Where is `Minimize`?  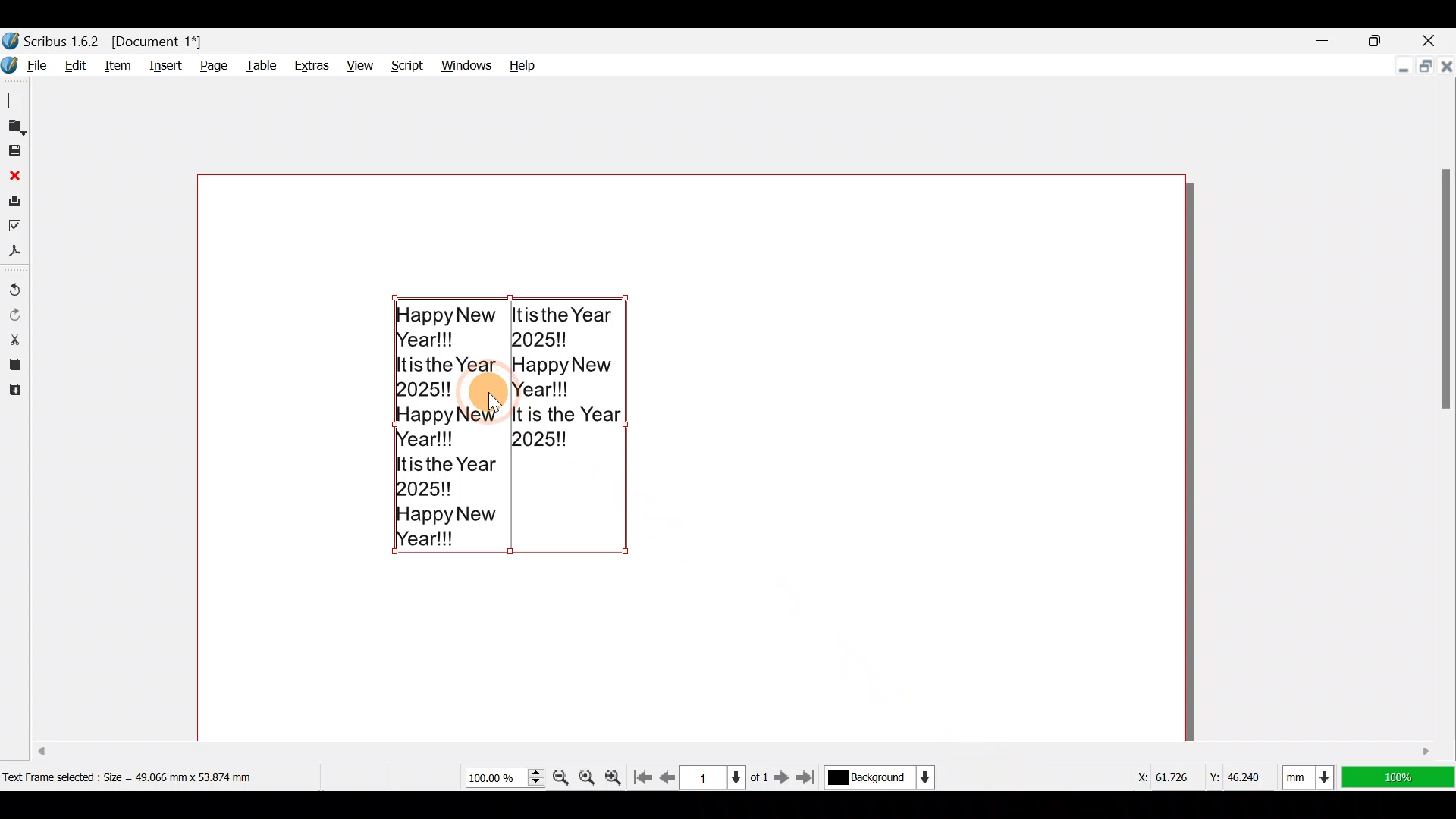
Minimize is located at coordinates (1328, 40).